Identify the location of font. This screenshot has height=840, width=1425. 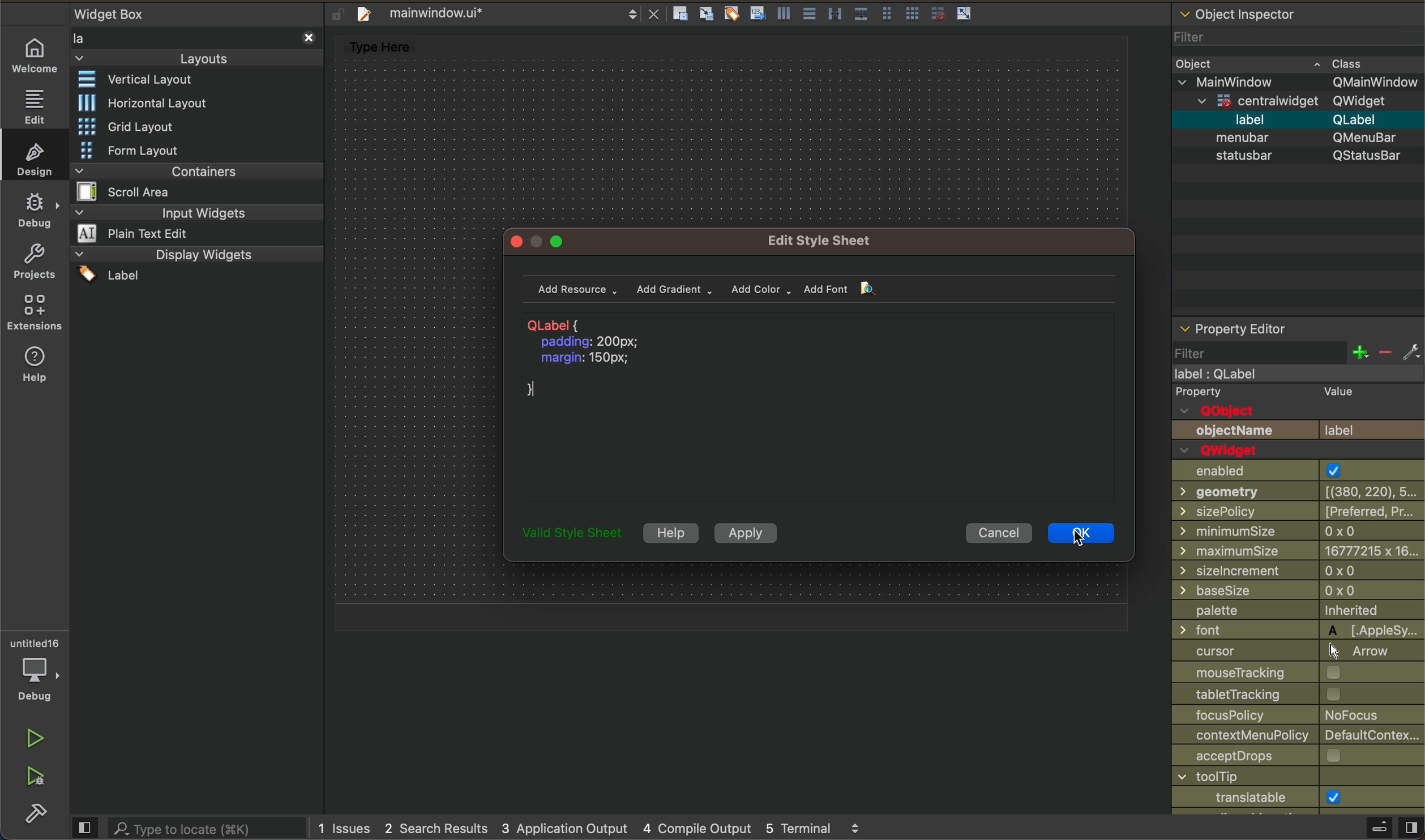
(1296, 629).